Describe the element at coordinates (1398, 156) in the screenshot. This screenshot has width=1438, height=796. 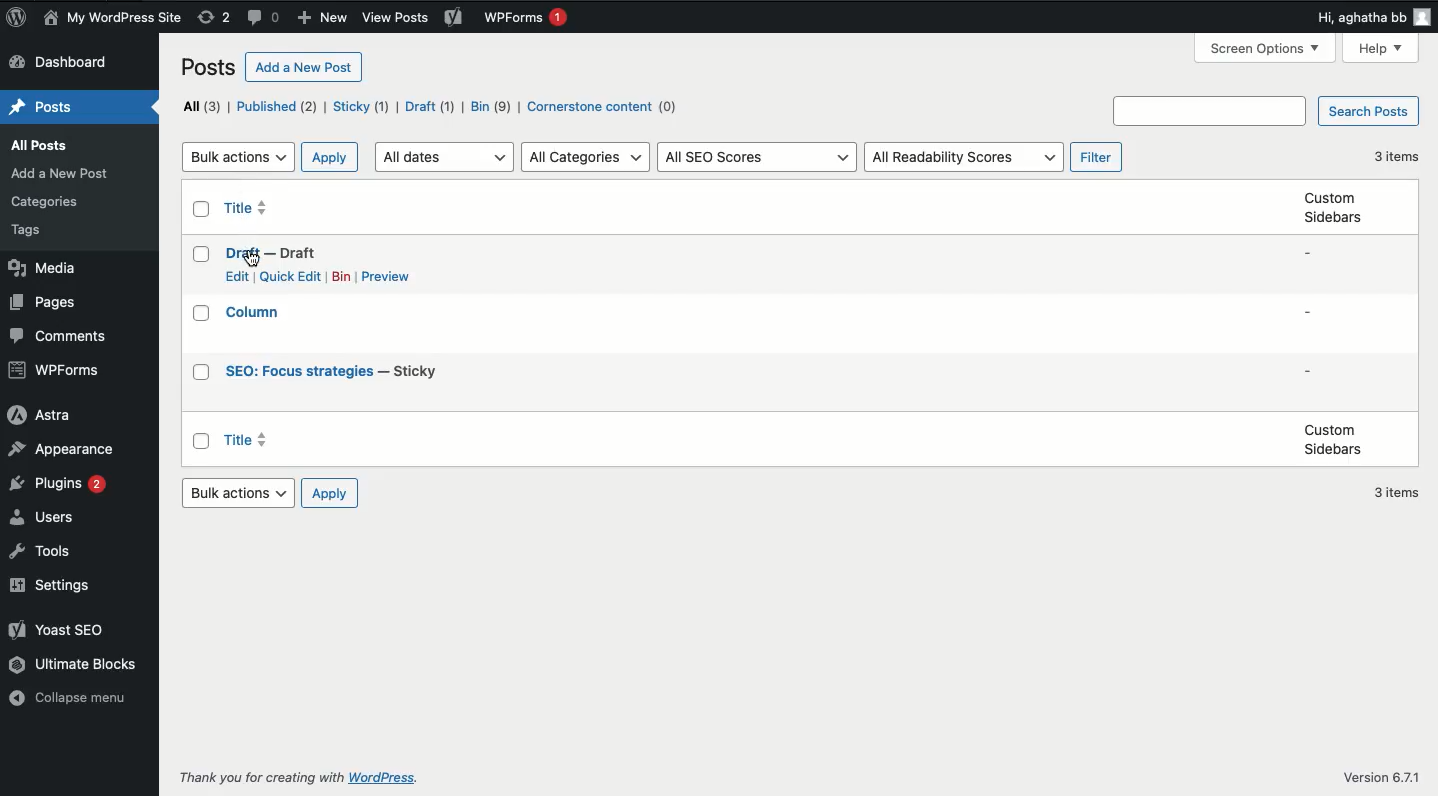
I see `3 items` at that location.